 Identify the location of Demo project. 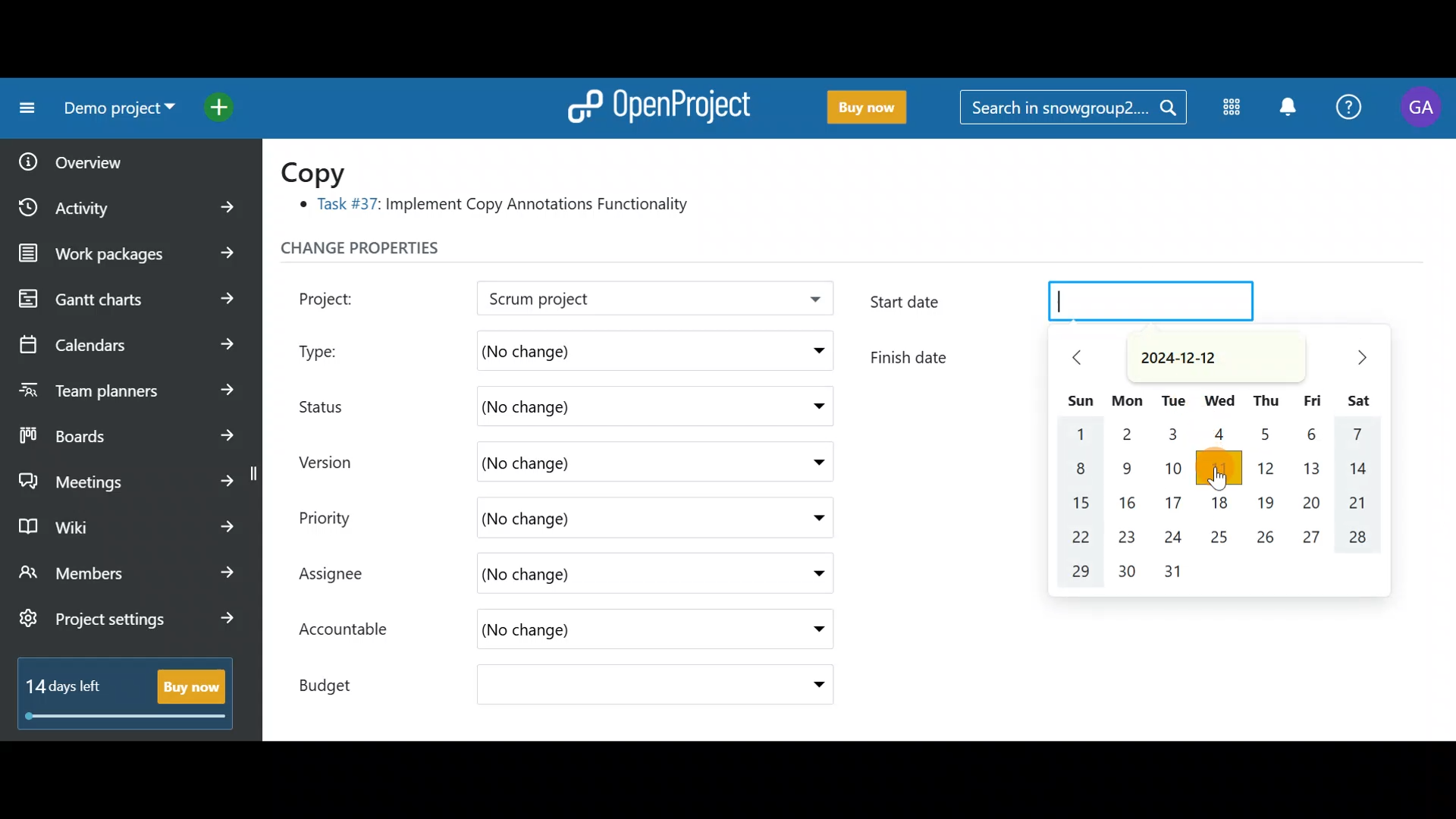
(610, 300).